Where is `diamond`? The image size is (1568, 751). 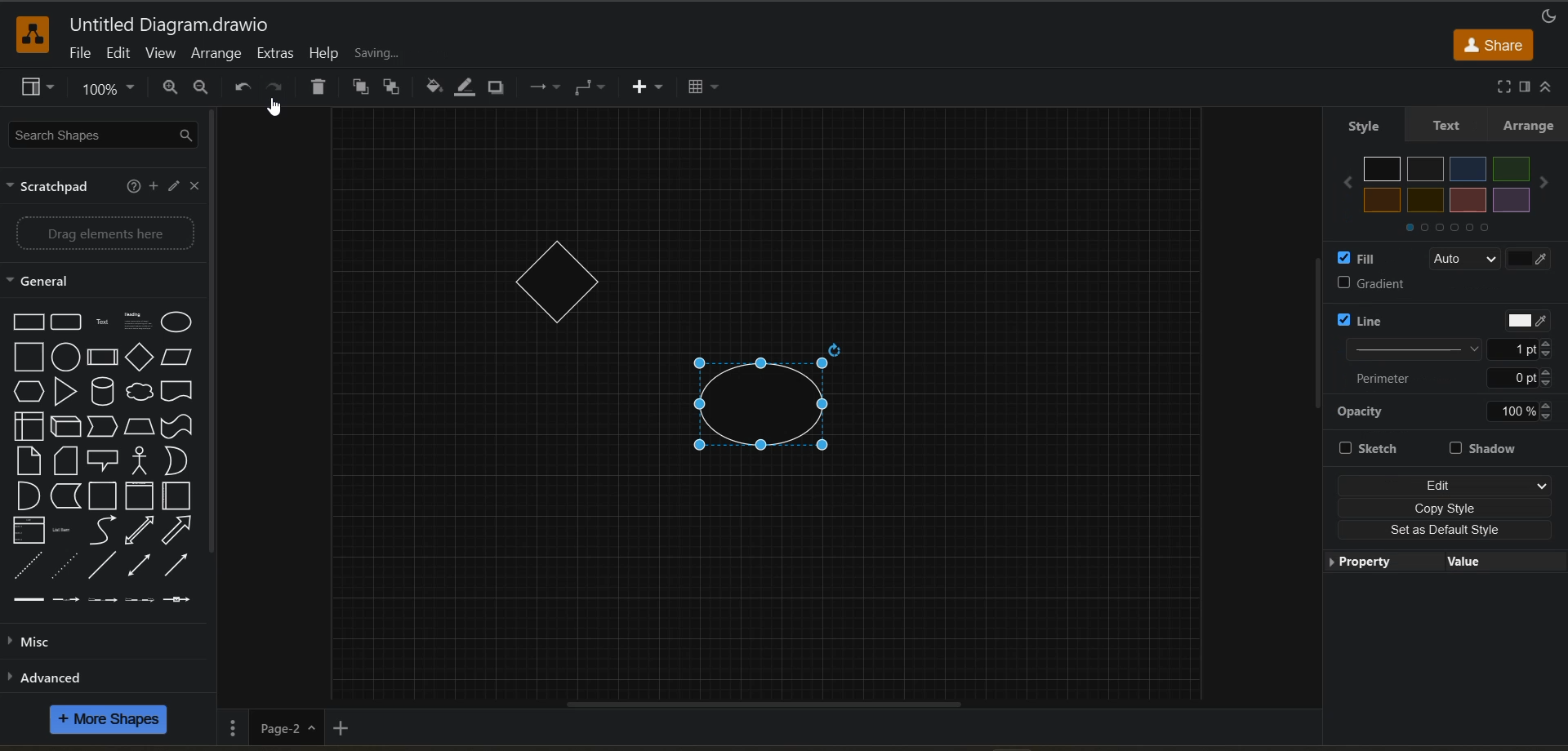
diamond is located at coordinates (140, 358).